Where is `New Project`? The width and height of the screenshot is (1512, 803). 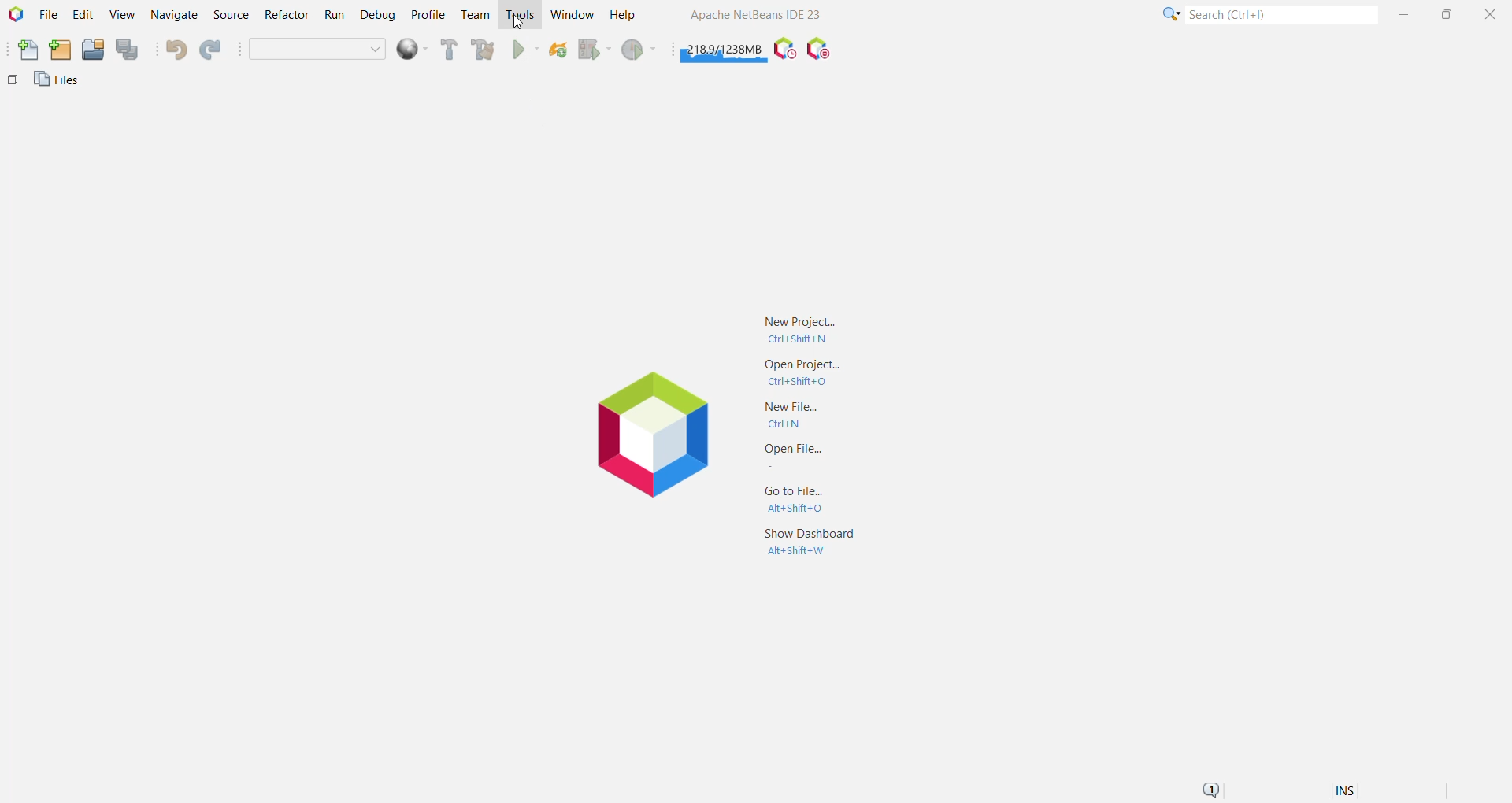 New Project is located at coordinates (803, 326).